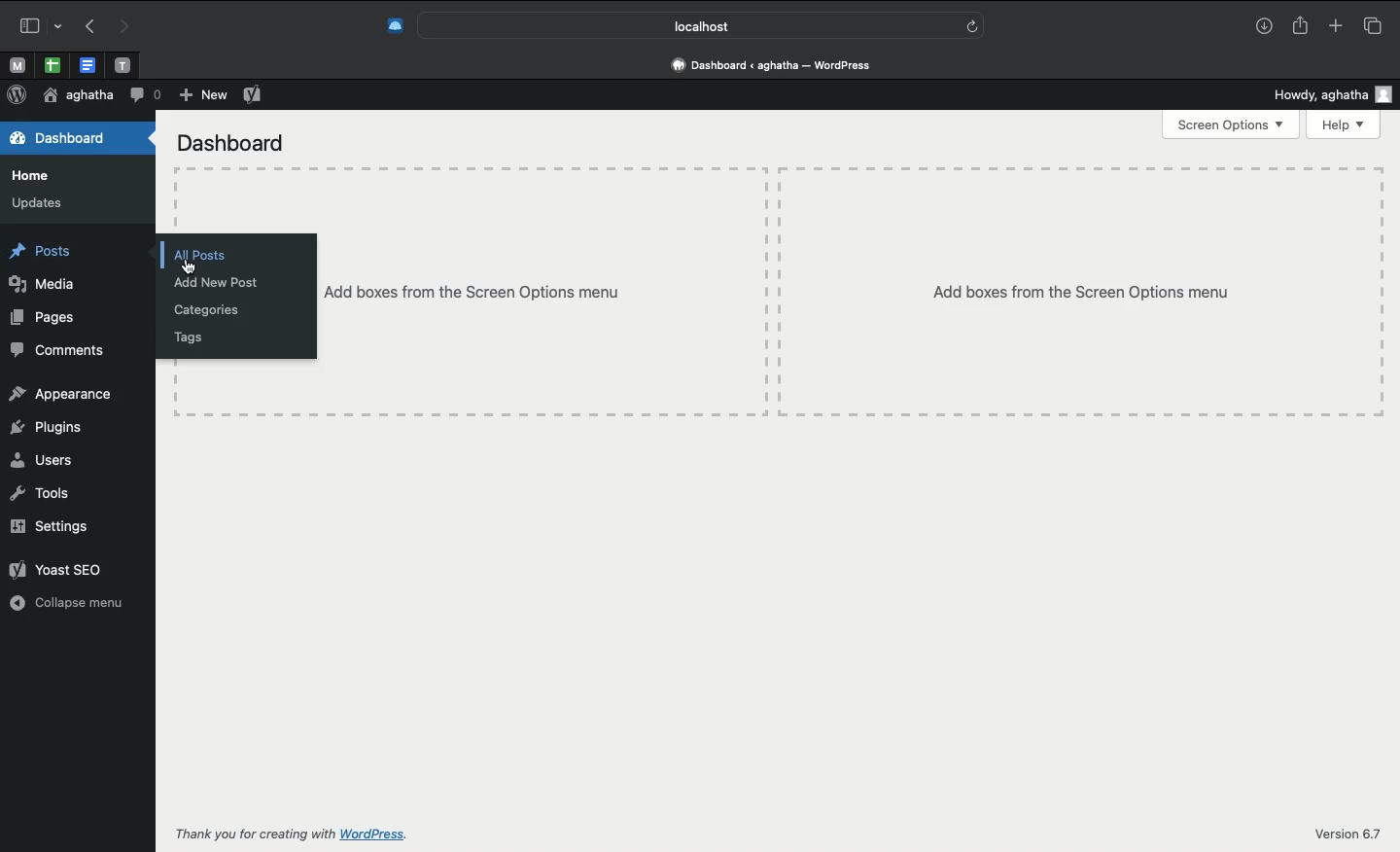  What do you see at coordinates (16, 63) in the screenshot?
I see `pinned tab` at bounding box center [16, 63].